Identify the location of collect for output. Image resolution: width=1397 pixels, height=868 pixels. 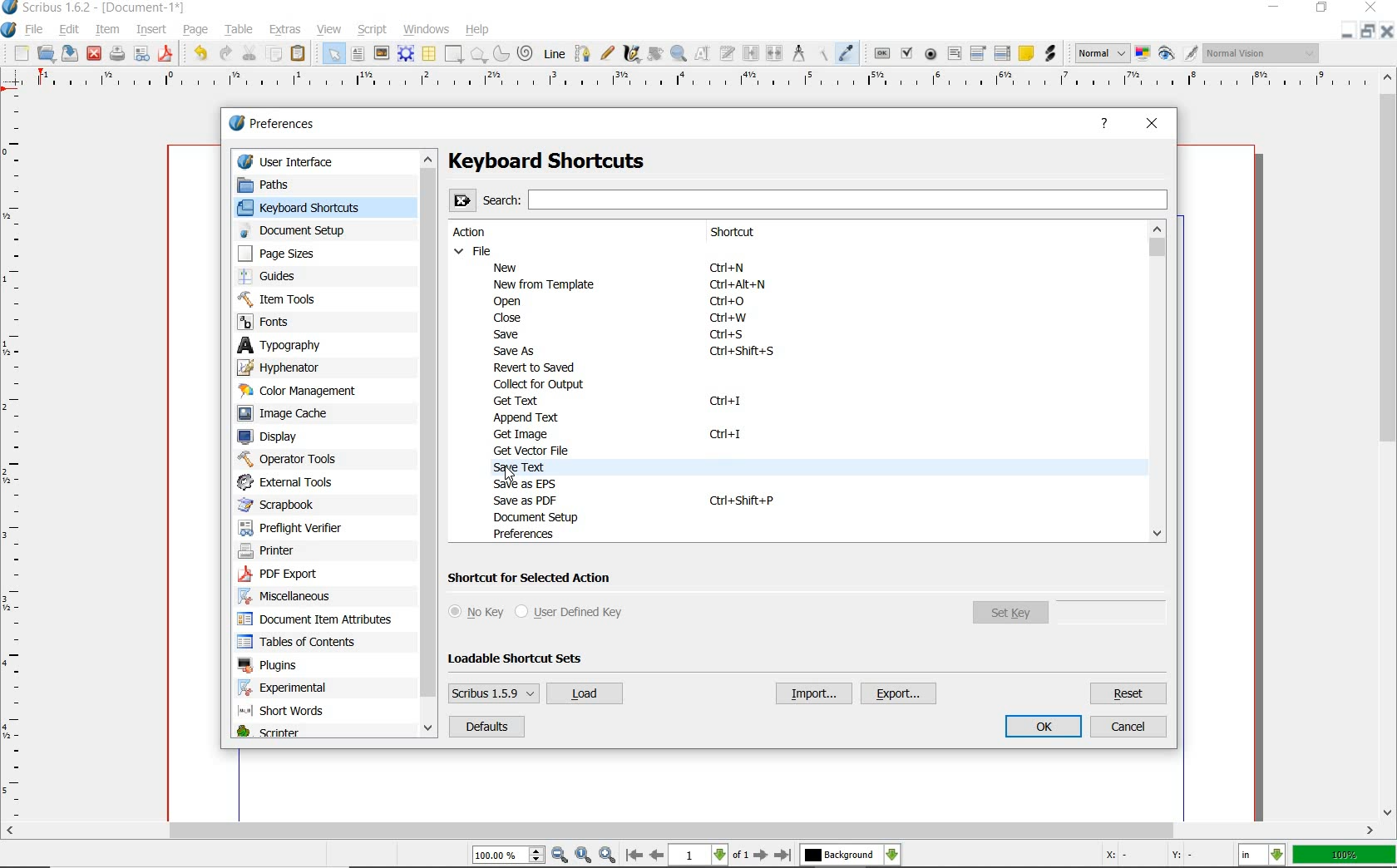
(542, 384).